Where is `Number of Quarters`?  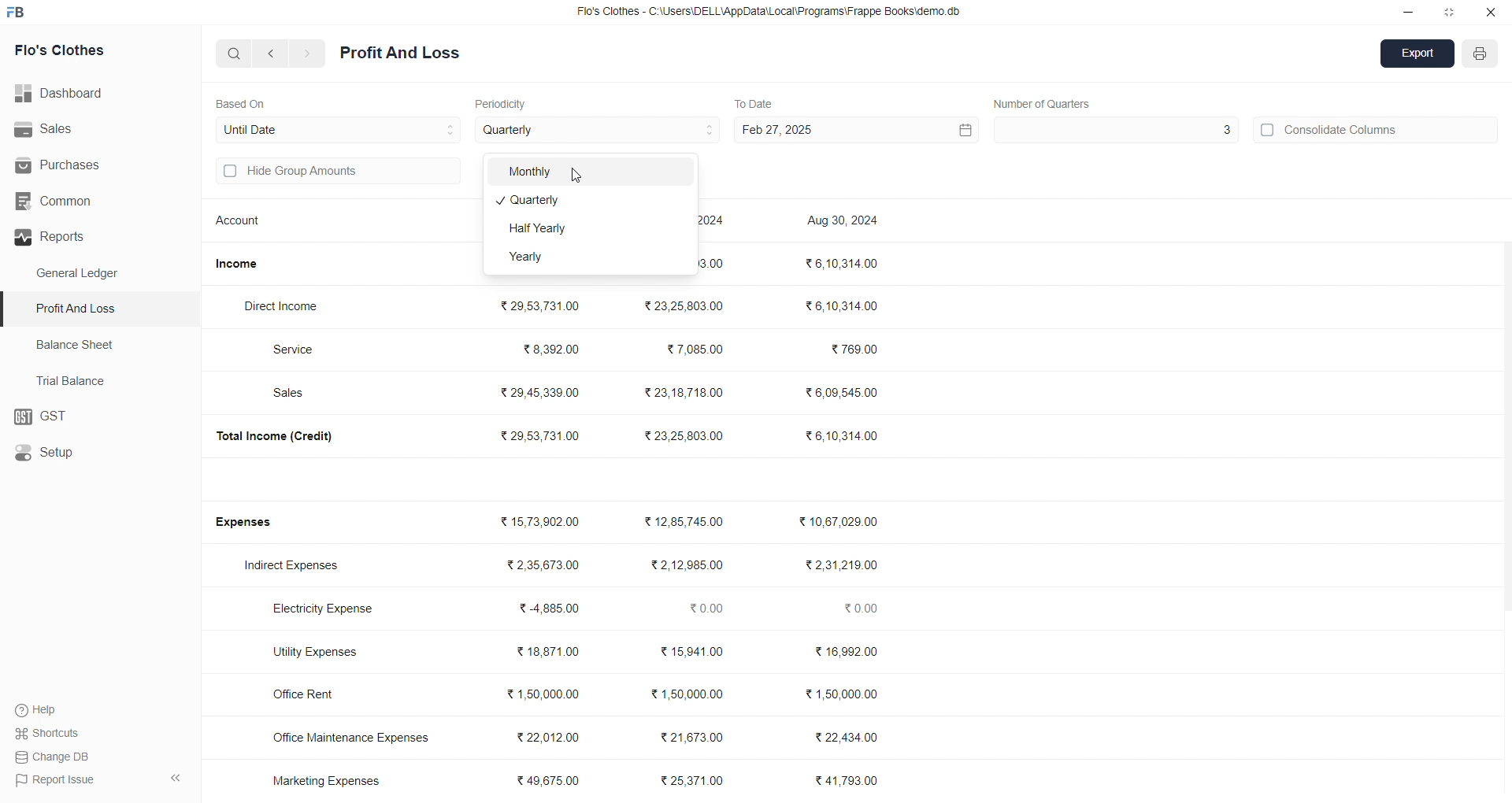
Number of Quarters is located at coordinates (1043, 103).